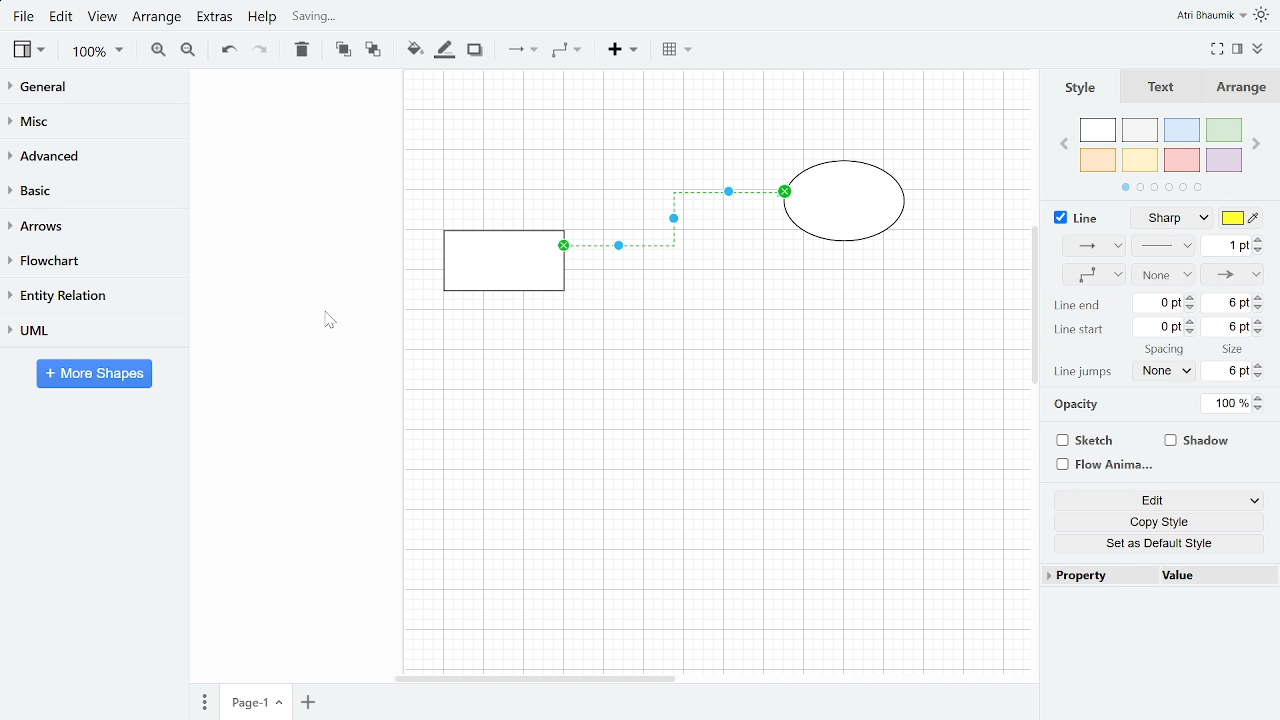 This screenshot has width=1280, height=720. Describe the element at coordinates (1238, 49) in the screenshot. I see `Format` at that location.